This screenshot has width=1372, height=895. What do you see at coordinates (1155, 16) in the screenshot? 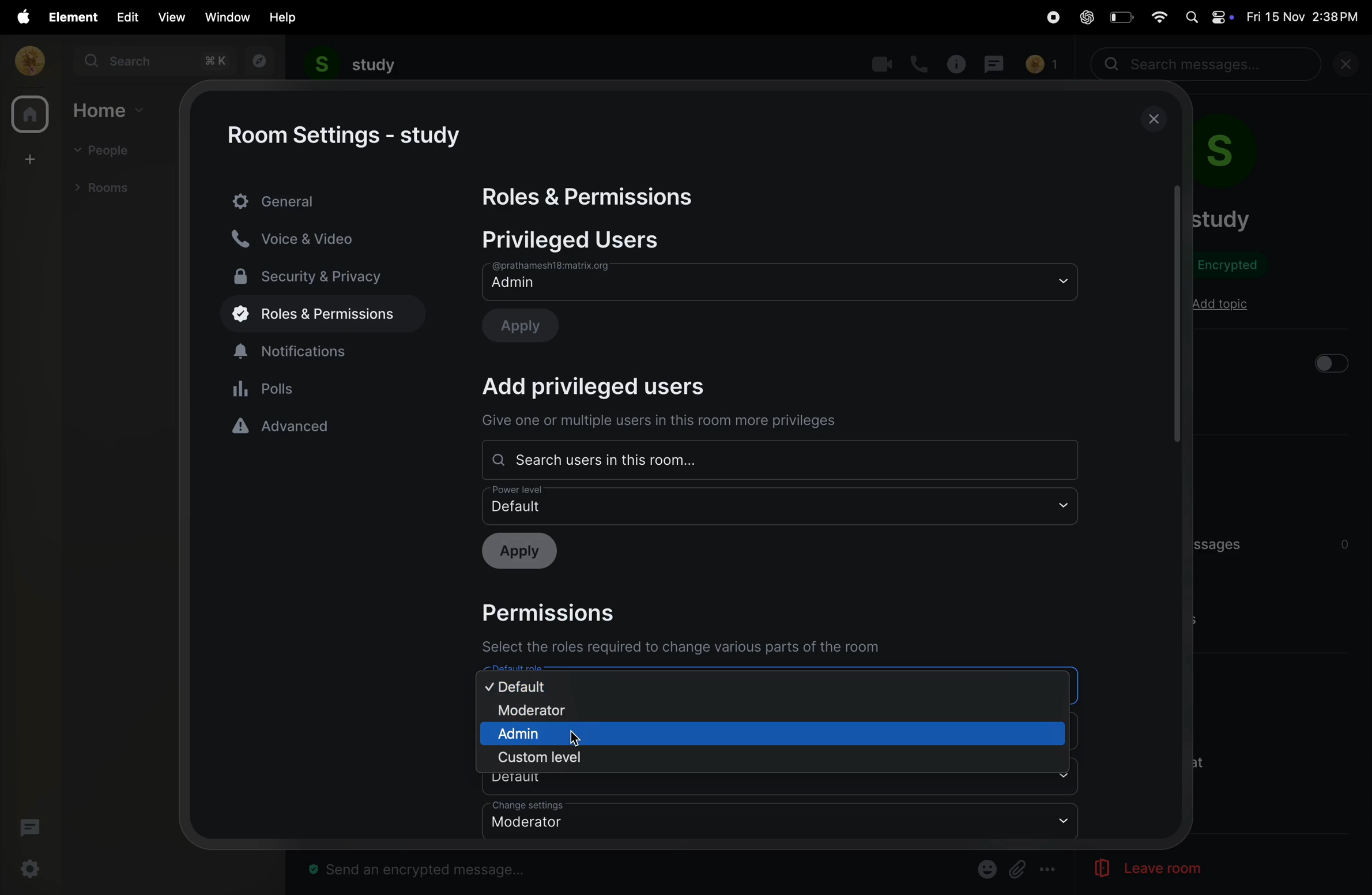
I see `wifi` at bounding box center [1155, 16].